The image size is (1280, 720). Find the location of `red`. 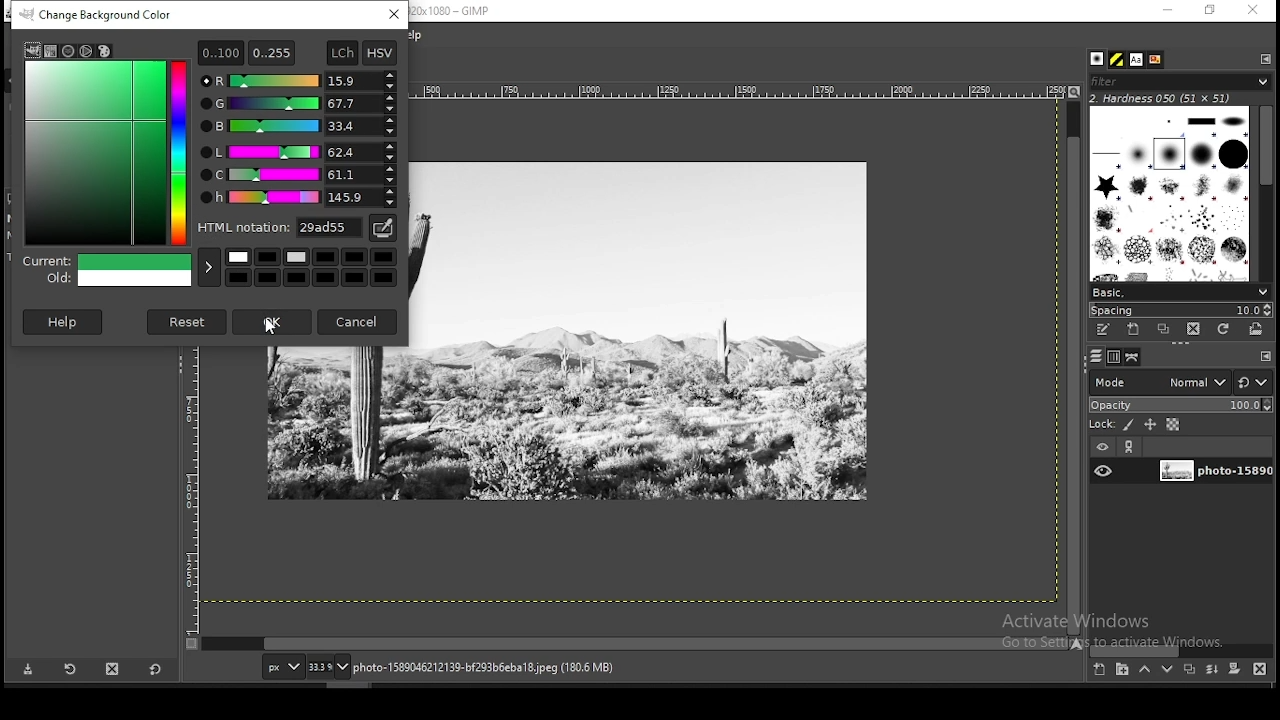

red is located at coordinates (298, 81).